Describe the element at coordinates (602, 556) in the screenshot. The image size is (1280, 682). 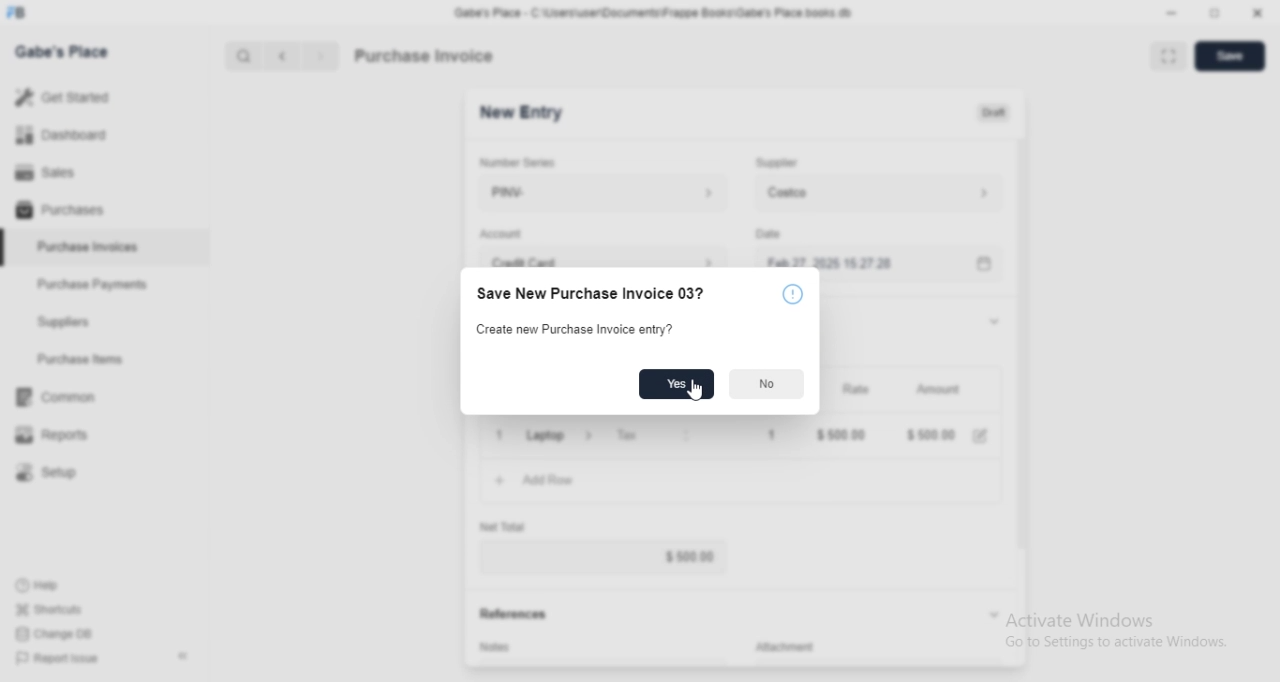
I see `$ 500.00` at that location.